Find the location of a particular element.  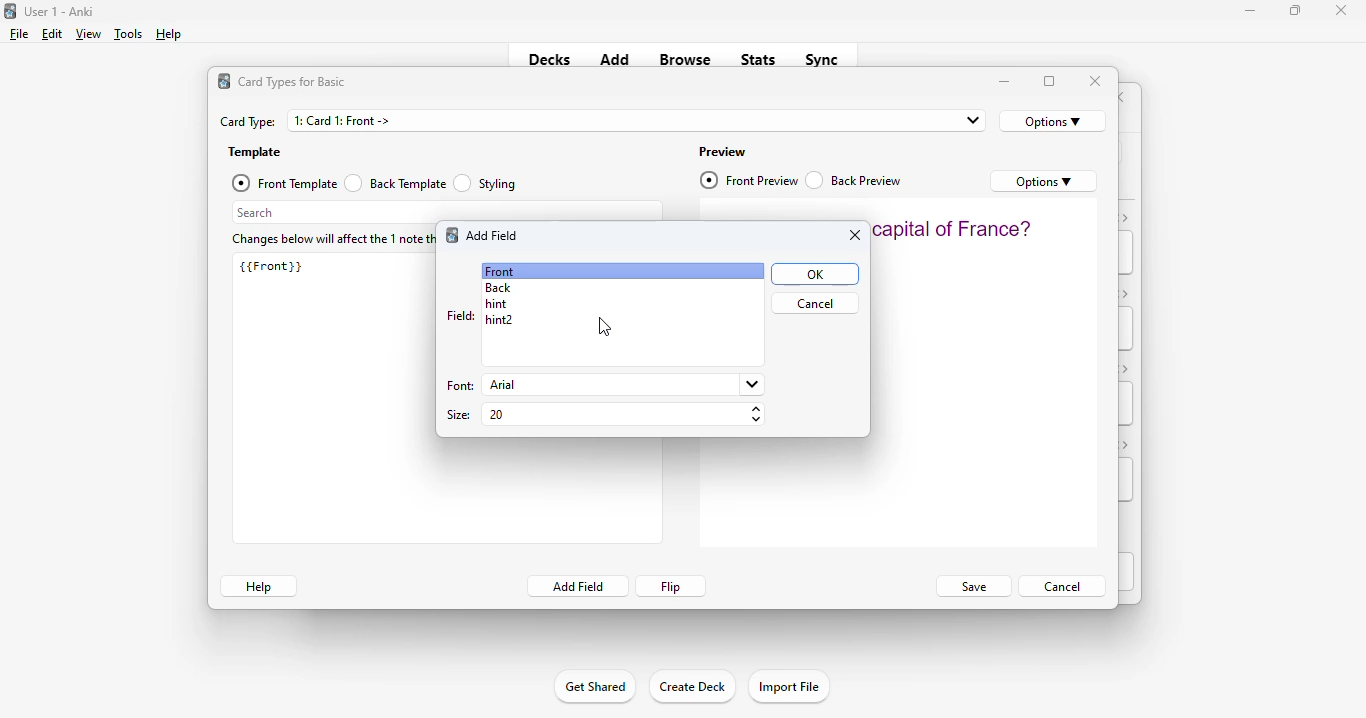

edit is located at coordinates (52, 34).